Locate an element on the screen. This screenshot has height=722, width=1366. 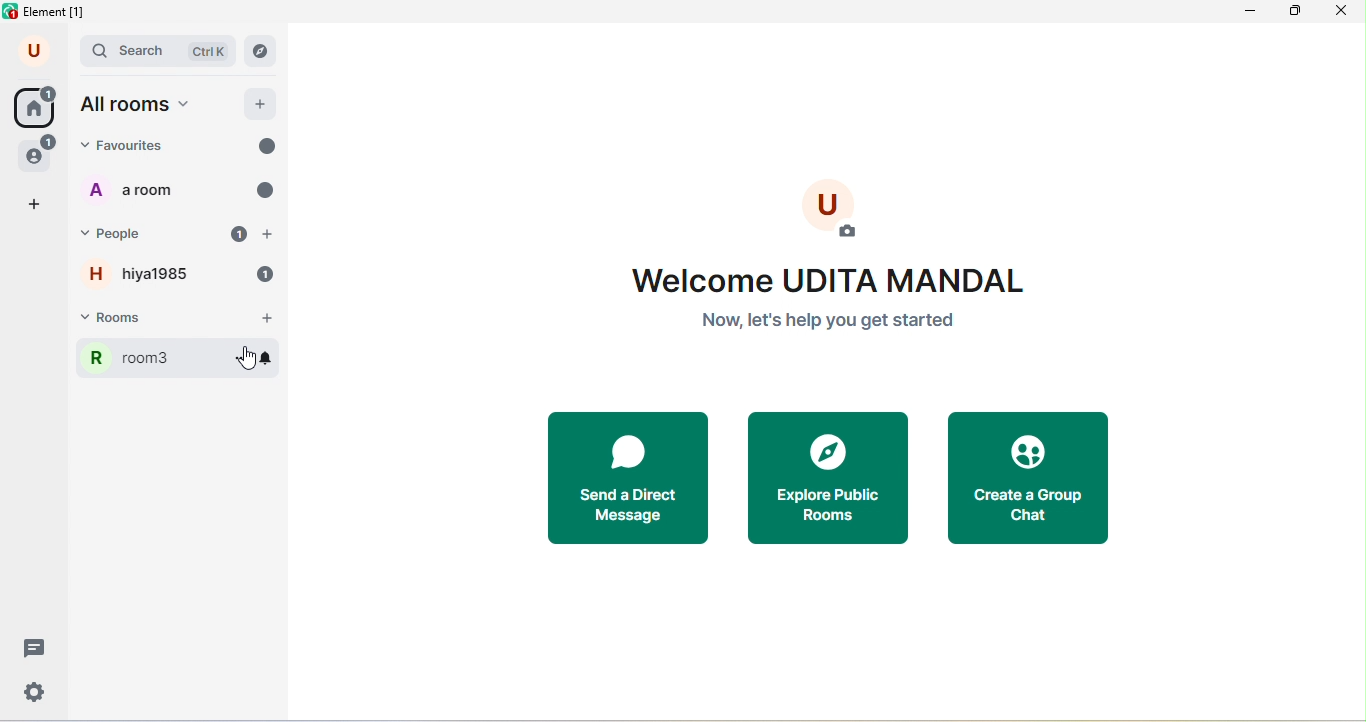
hiya1985 is located at coordinates (131, 274).